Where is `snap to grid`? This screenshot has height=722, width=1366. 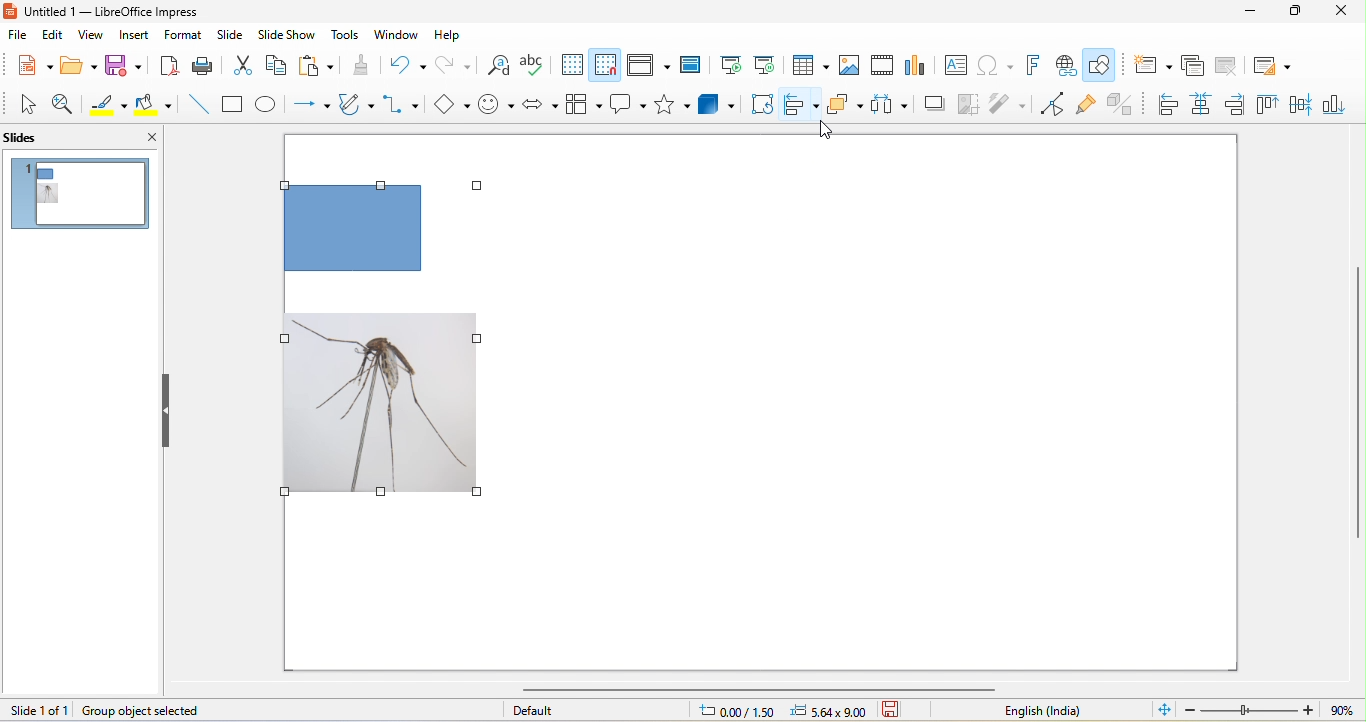 snap to grid is located at coordinates (607, 65).